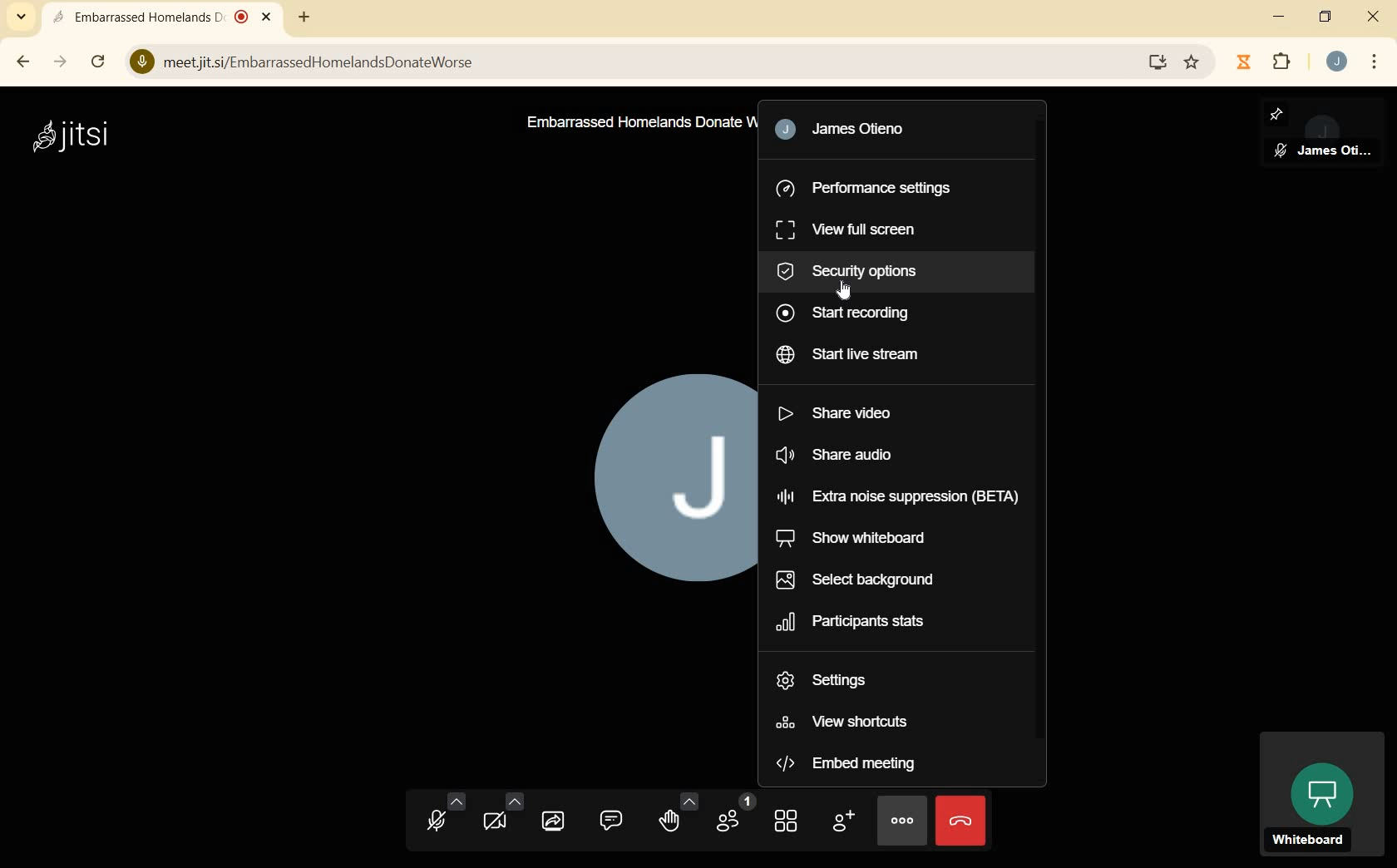  Describe the element at coordinates (845, 412) in the screenshot. I see `SHARE VIDEO` at that location.